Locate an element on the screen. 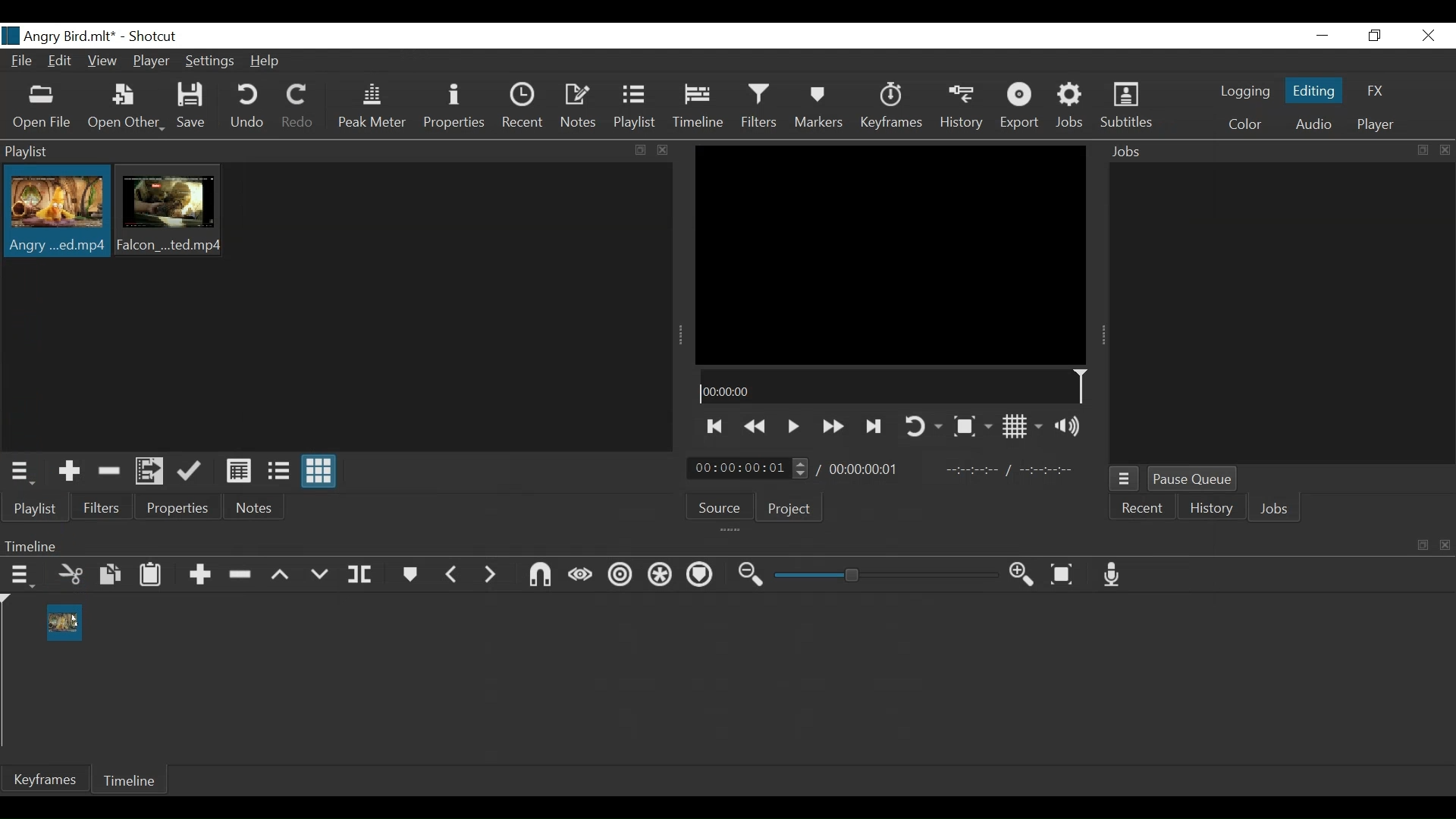 This screenshot has height=819, width=1456. Color is located at coordinates (1245, 125).